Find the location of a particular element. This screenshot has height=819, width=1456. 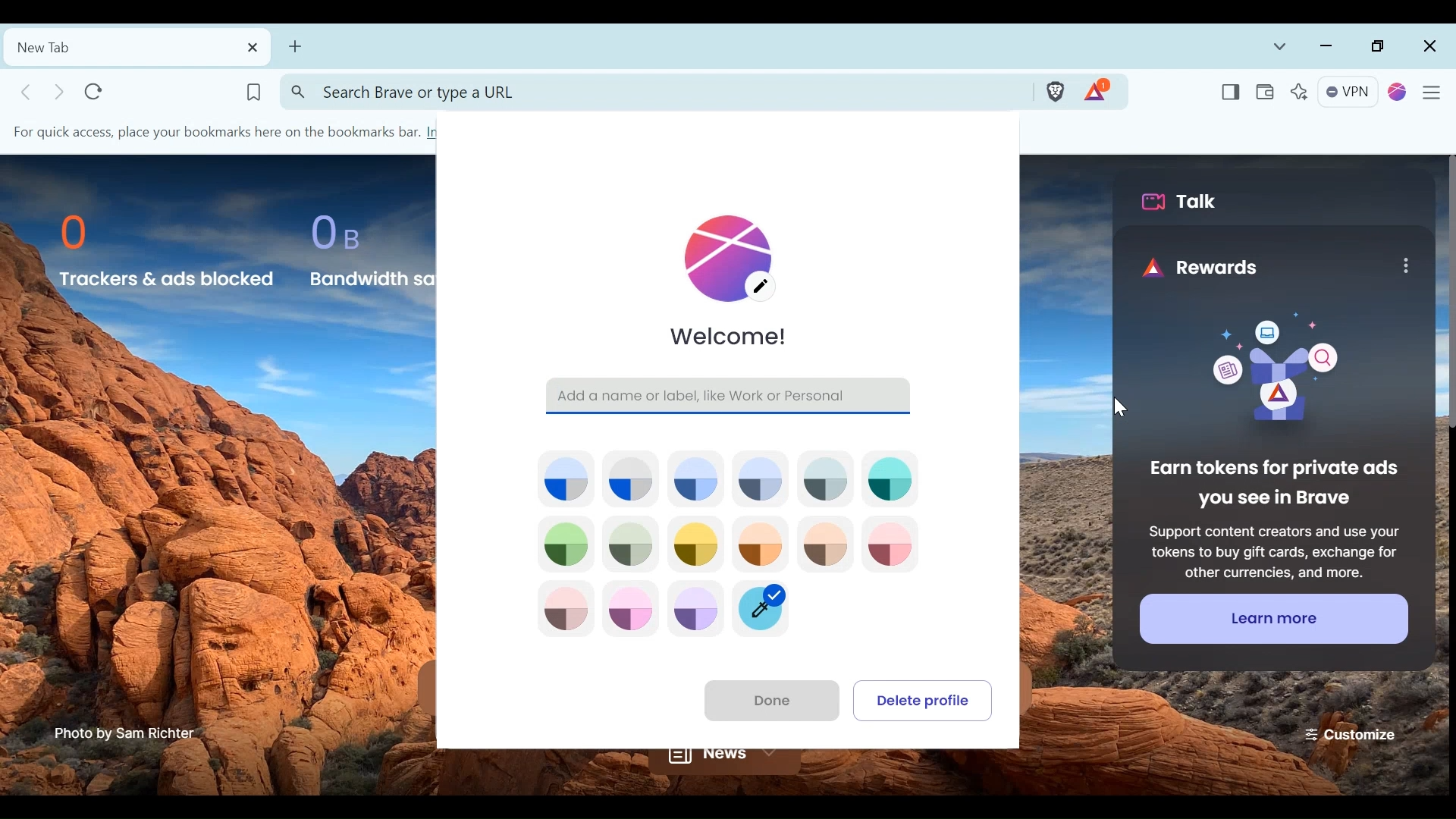

Theme is located at coordinates (628, 610).